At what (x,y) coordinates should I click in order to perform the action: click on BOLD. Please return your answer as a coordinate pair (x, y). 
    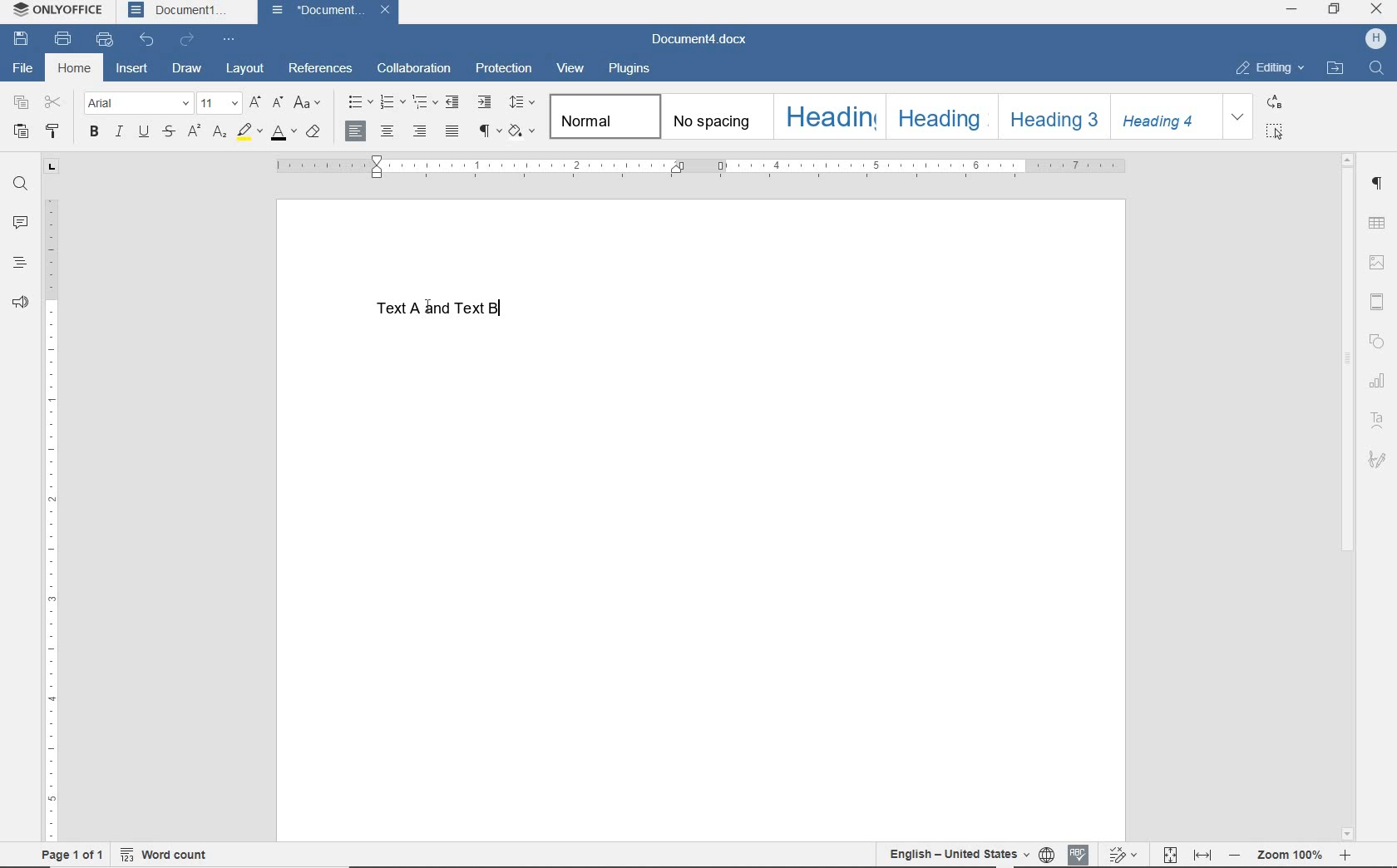
    Looking at the image, I should click on (93, 133).